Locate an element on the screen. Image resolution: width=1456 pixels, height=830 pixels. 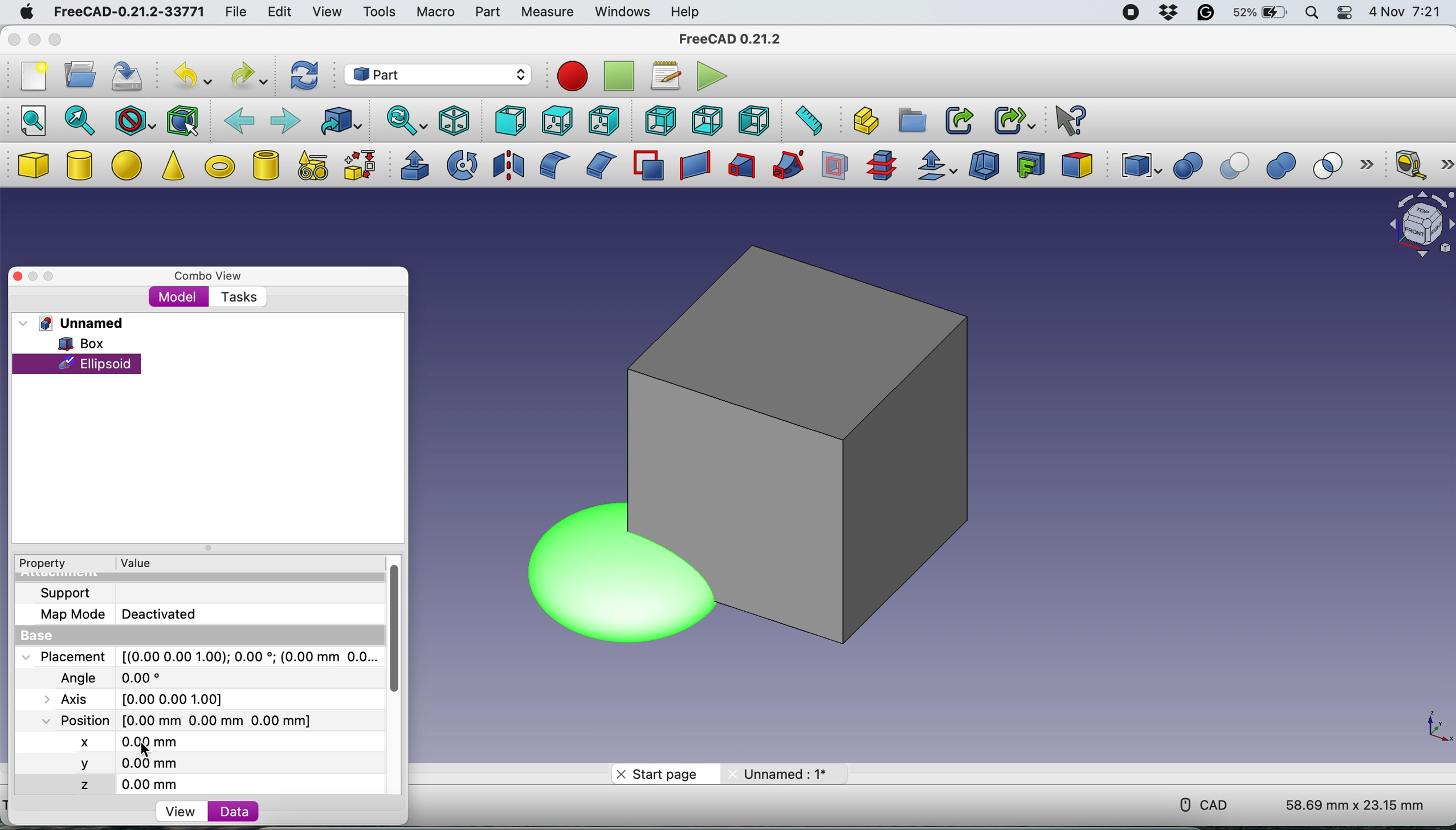
view is located at coordinates (184, 811).